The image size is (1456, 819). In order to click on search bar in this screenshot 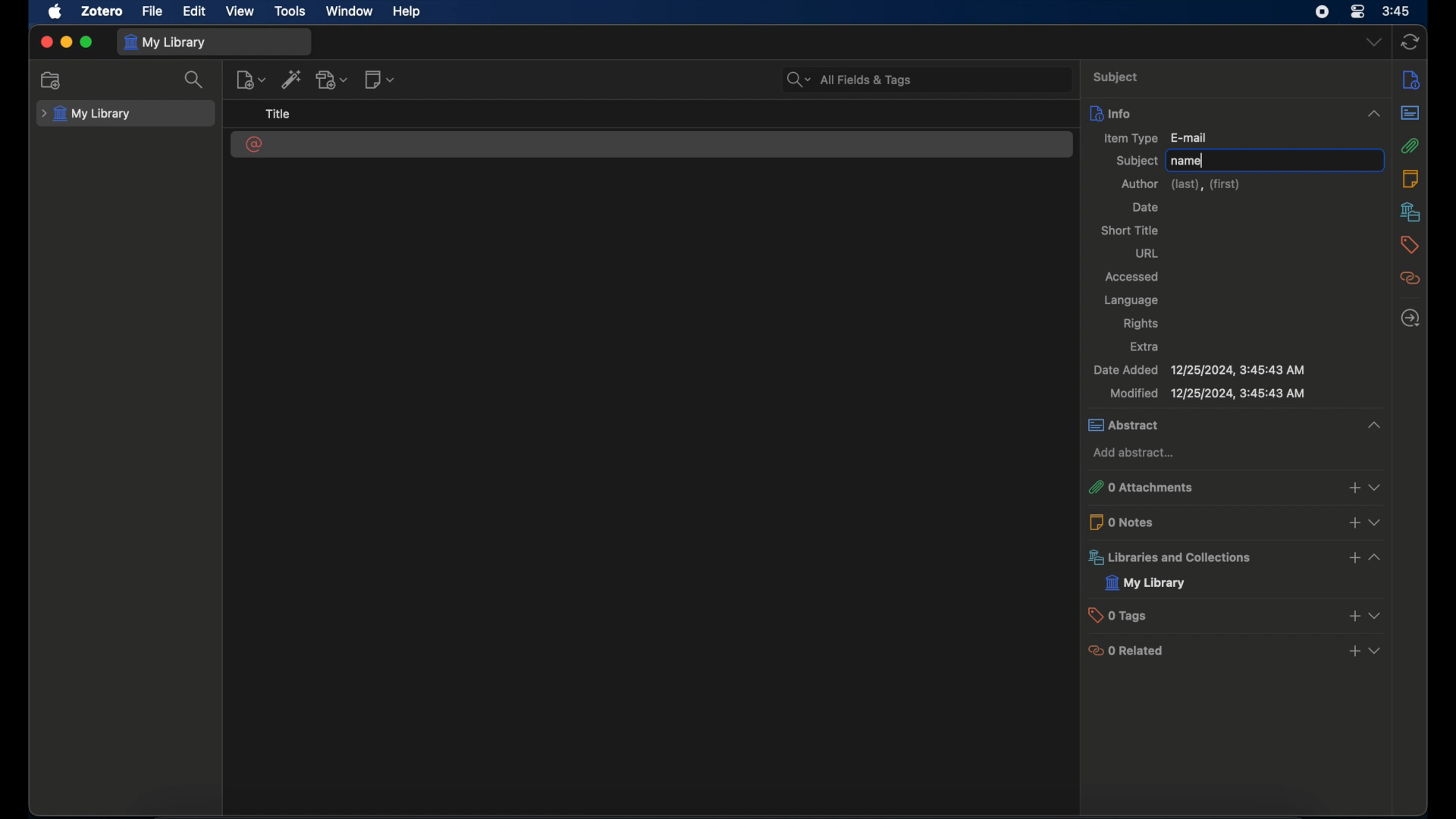, I will do `click(848, 79)`.